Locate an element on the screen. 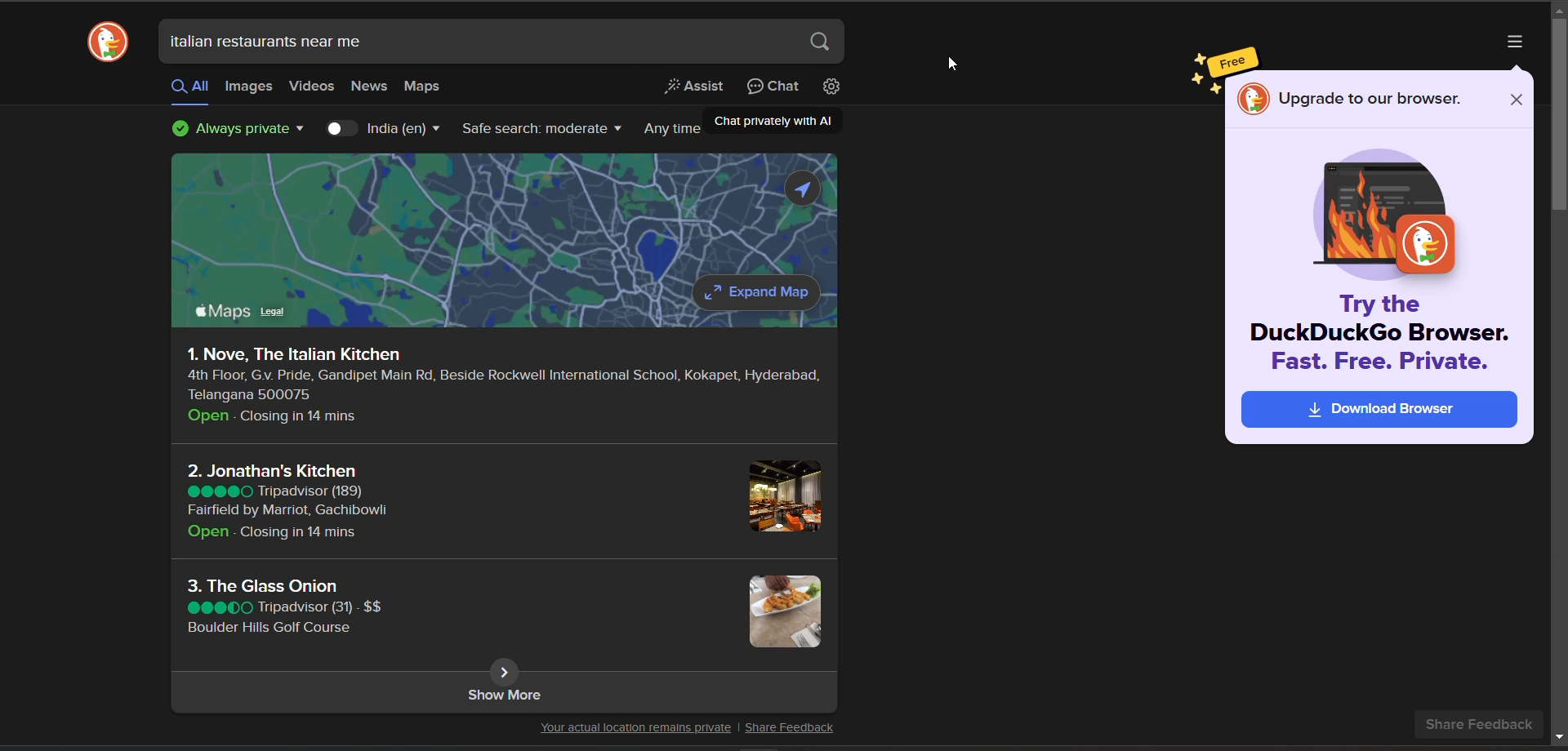 This screenshot has width=1568, height=751. 4th Floor, Gv. Pride, Gandipet Main Rd, Beside Rockwell International School, Kokapet, Hyderabad, Telangana 500075 is located at coordinates (505, 385).